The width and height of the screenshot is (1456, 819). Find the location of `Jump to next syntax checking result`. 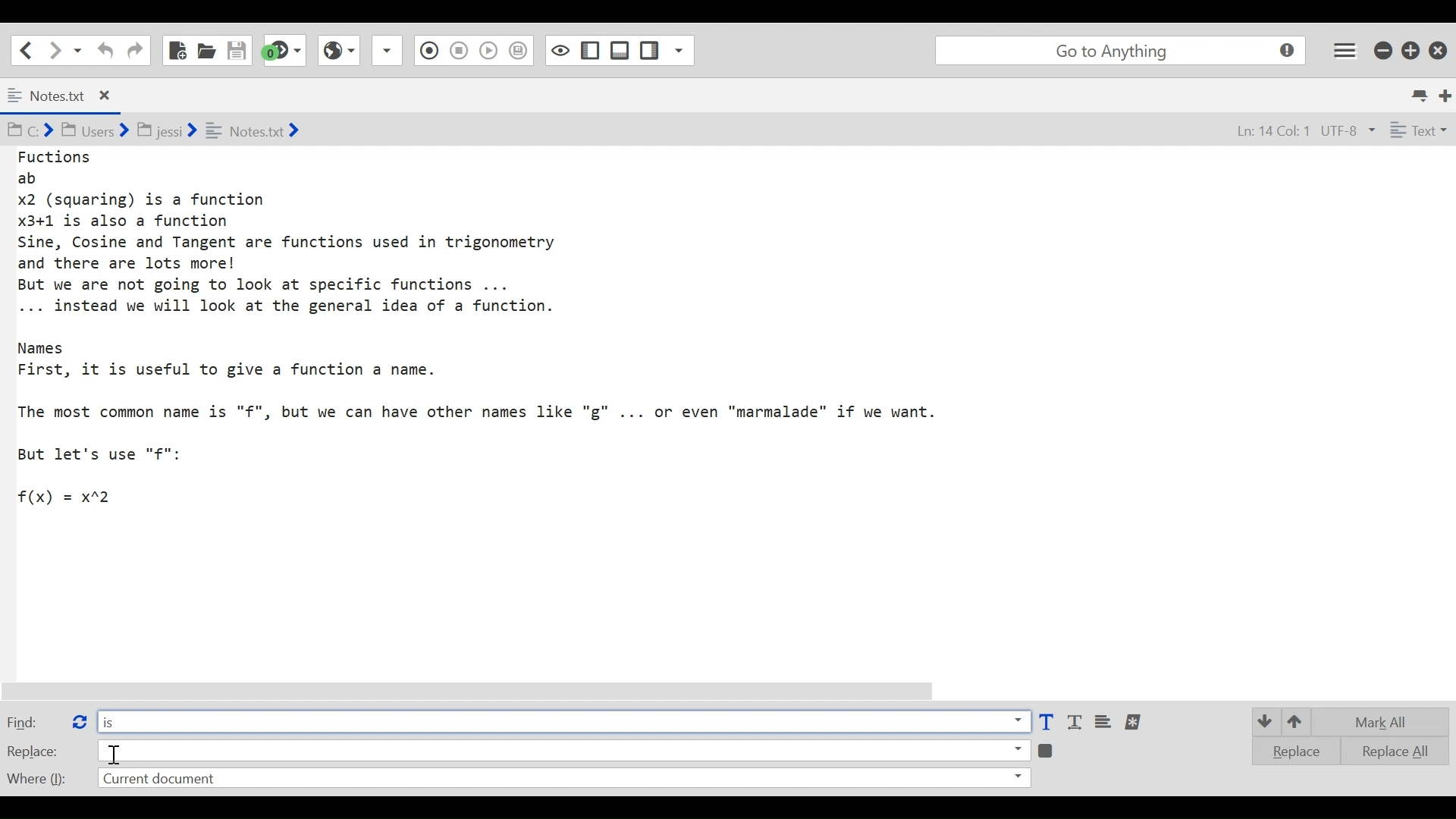

Jump to next syntax checking result is located at coordinates (284, 50).